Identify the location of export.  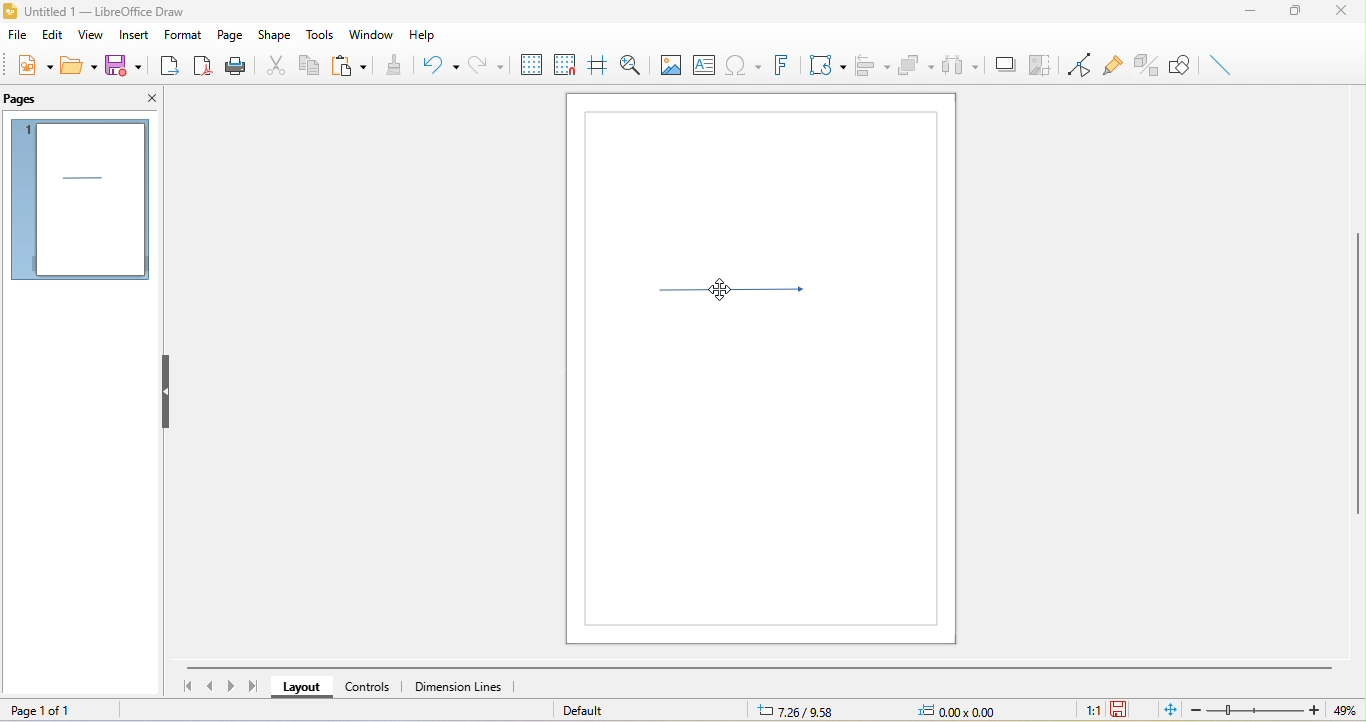
(172, 68).